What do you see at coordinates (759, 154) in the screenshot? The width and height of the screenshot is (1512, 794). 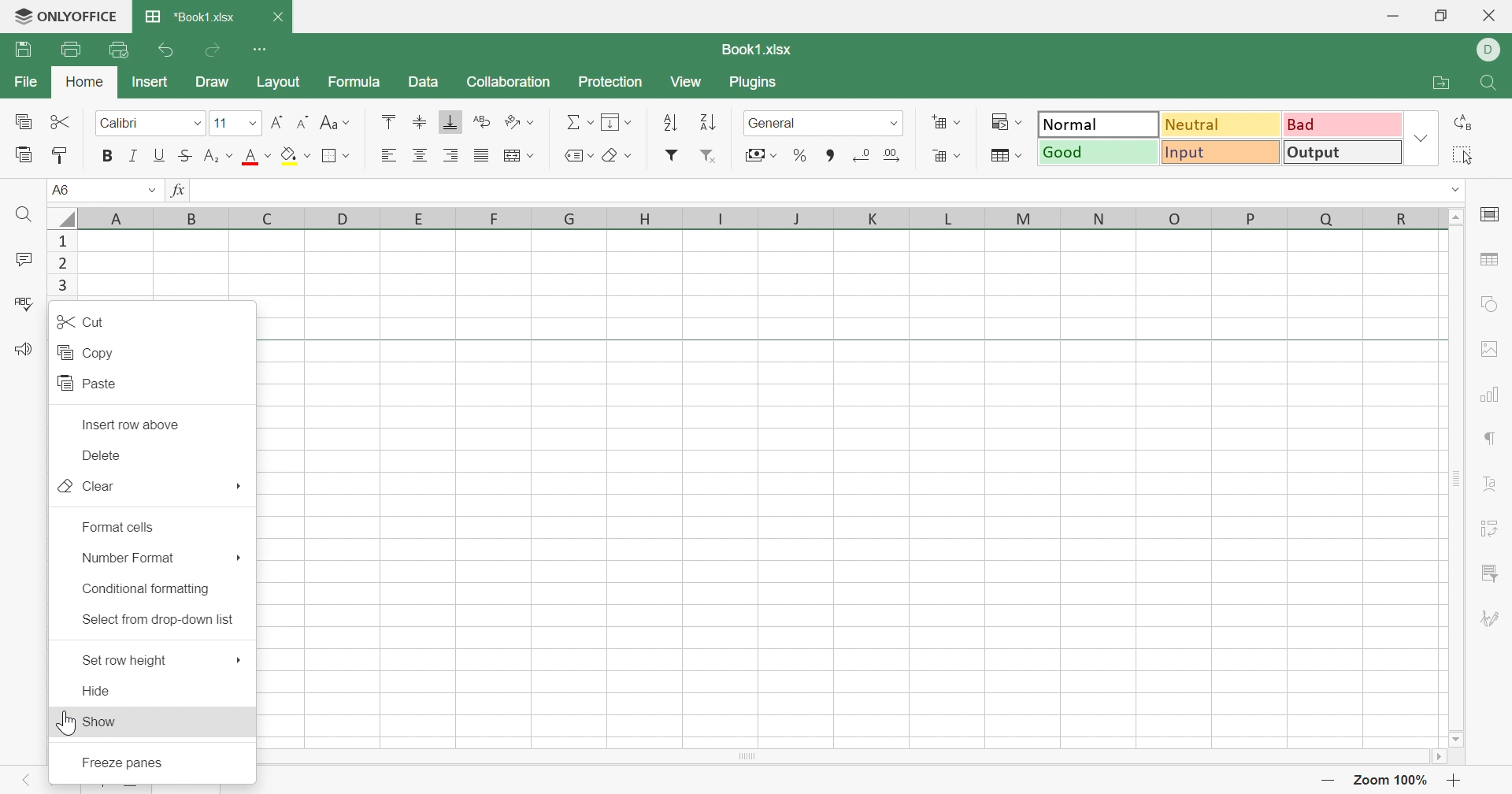 I see `Accounting style` at bounding box center [759, 154].